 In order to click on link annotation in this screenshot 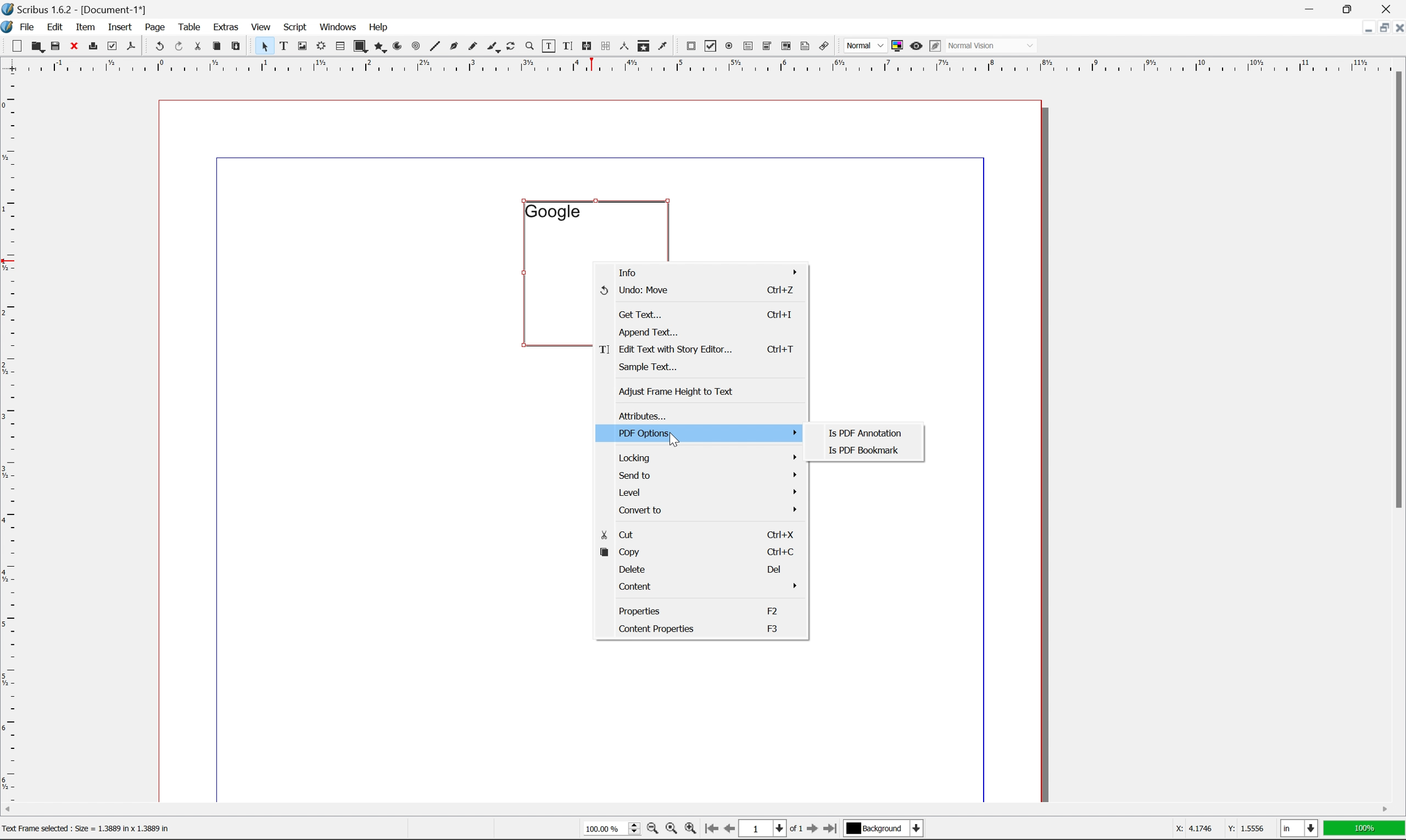, I will do `click(824, 47)`.